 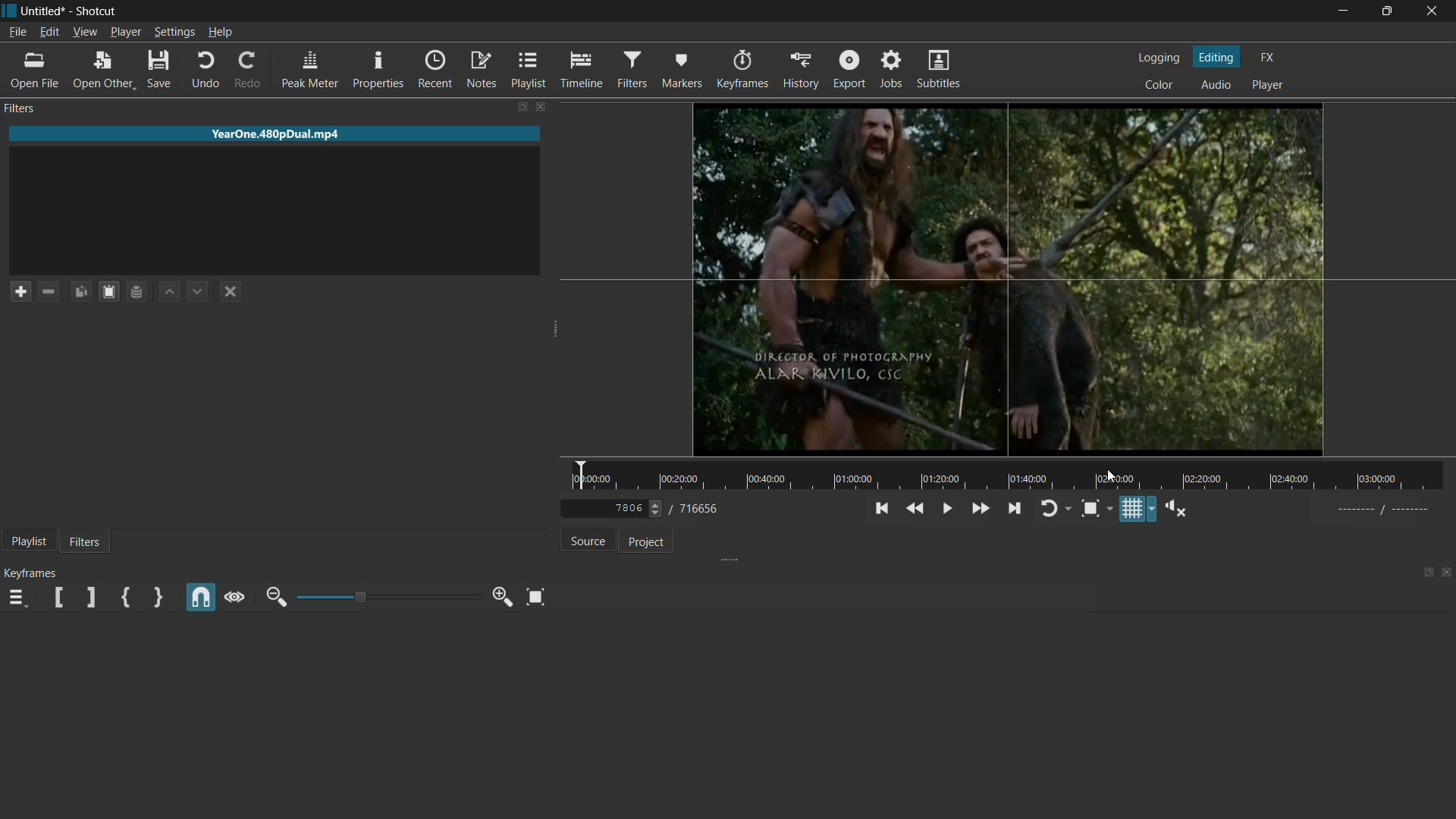 I want to click on move filter up, so click(x=168, y=291).